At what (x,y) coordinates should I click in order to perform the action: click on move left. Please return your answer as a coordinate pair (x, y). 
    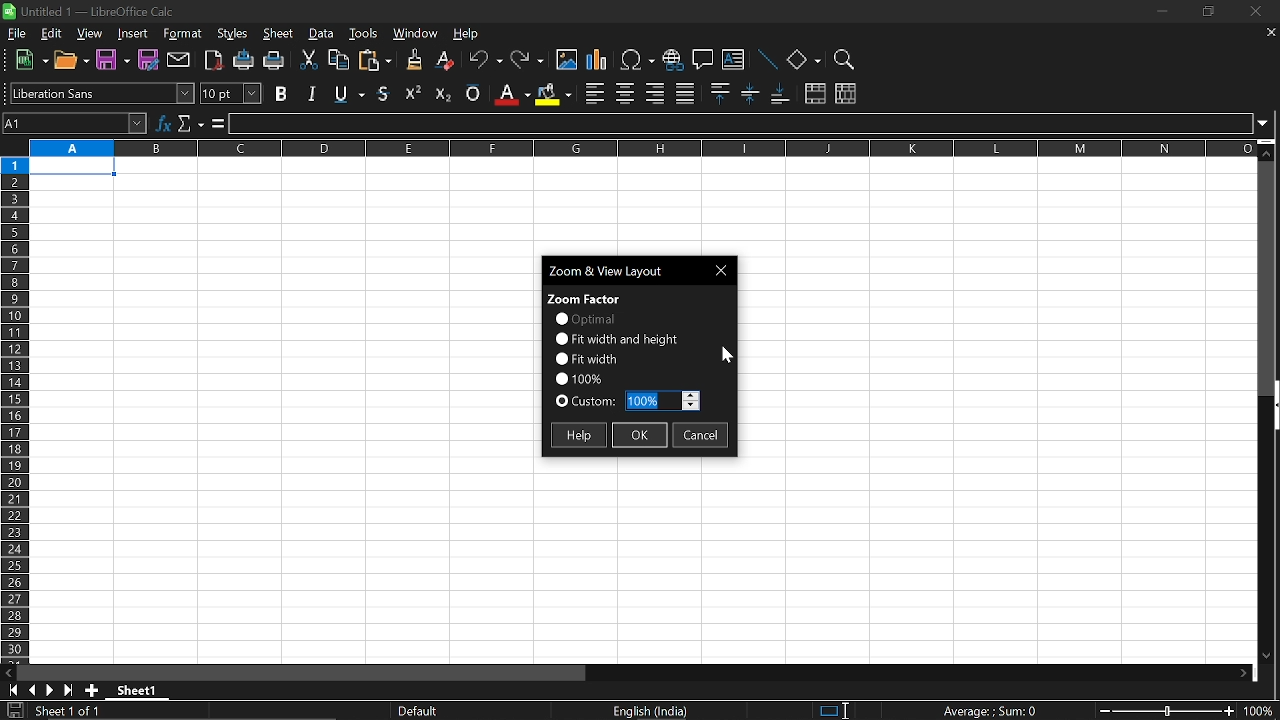
    Looking at the image, I should click on (8, 671).